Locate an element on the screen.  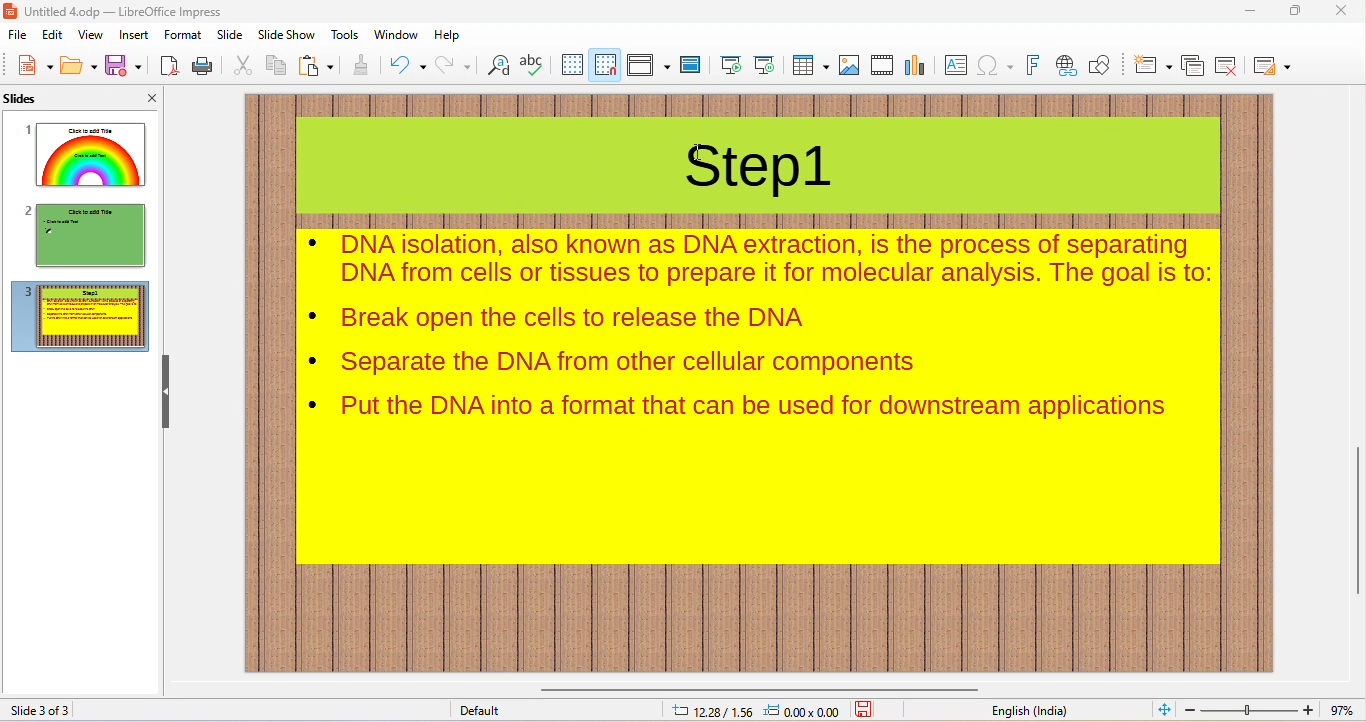
show draw functions is located at coordinates (1102, 65).